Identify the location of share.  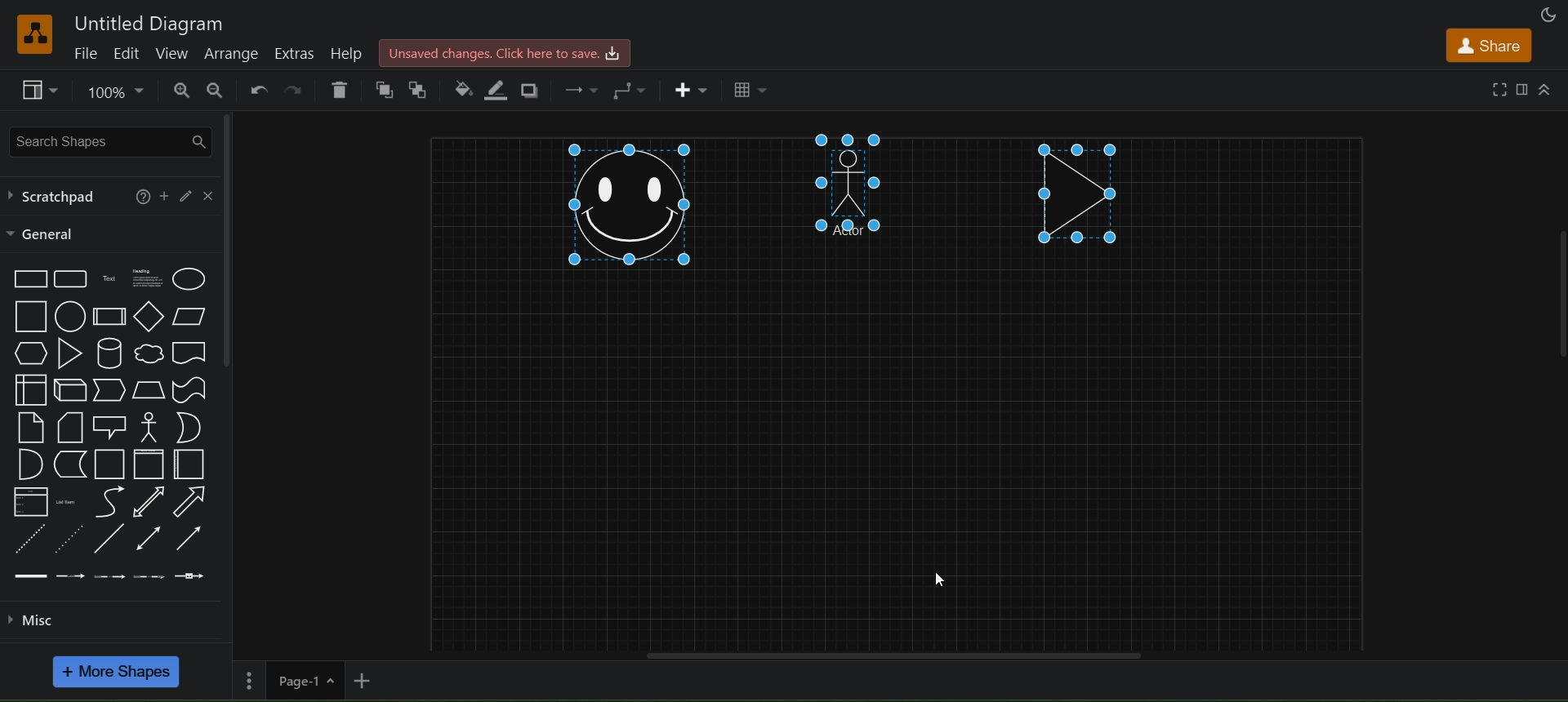
(1491, 45).